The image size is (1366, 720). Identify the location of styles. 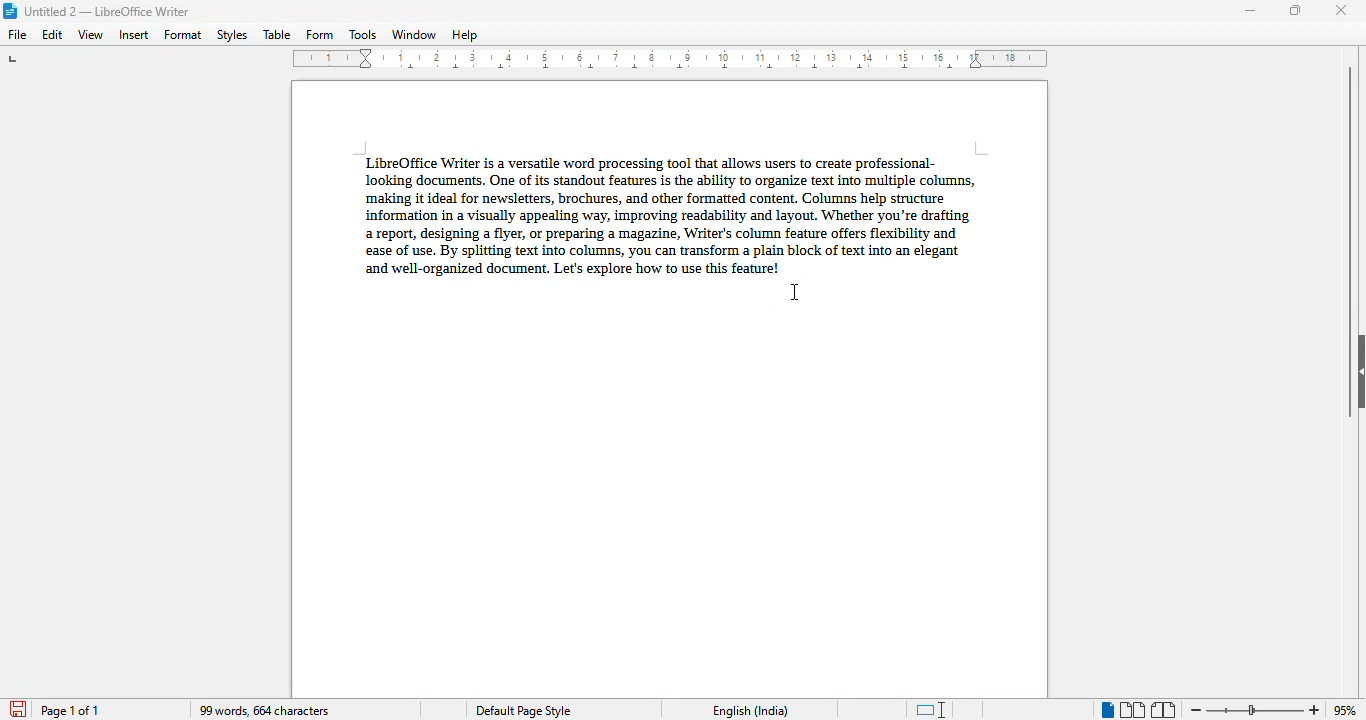
(233, 35).